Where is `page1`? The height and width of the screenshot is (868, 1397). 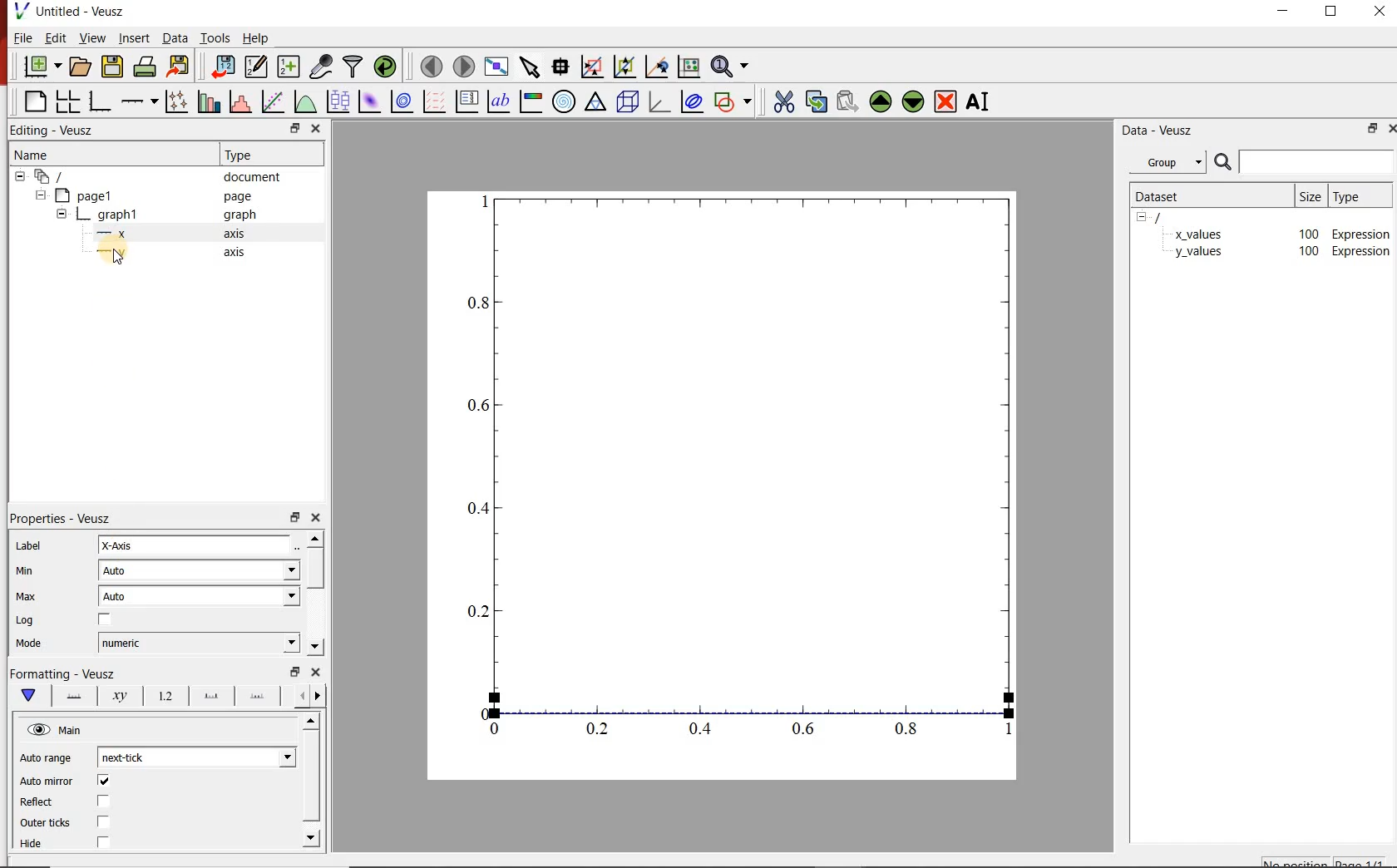 page1 is located at coordinates (91, 194).